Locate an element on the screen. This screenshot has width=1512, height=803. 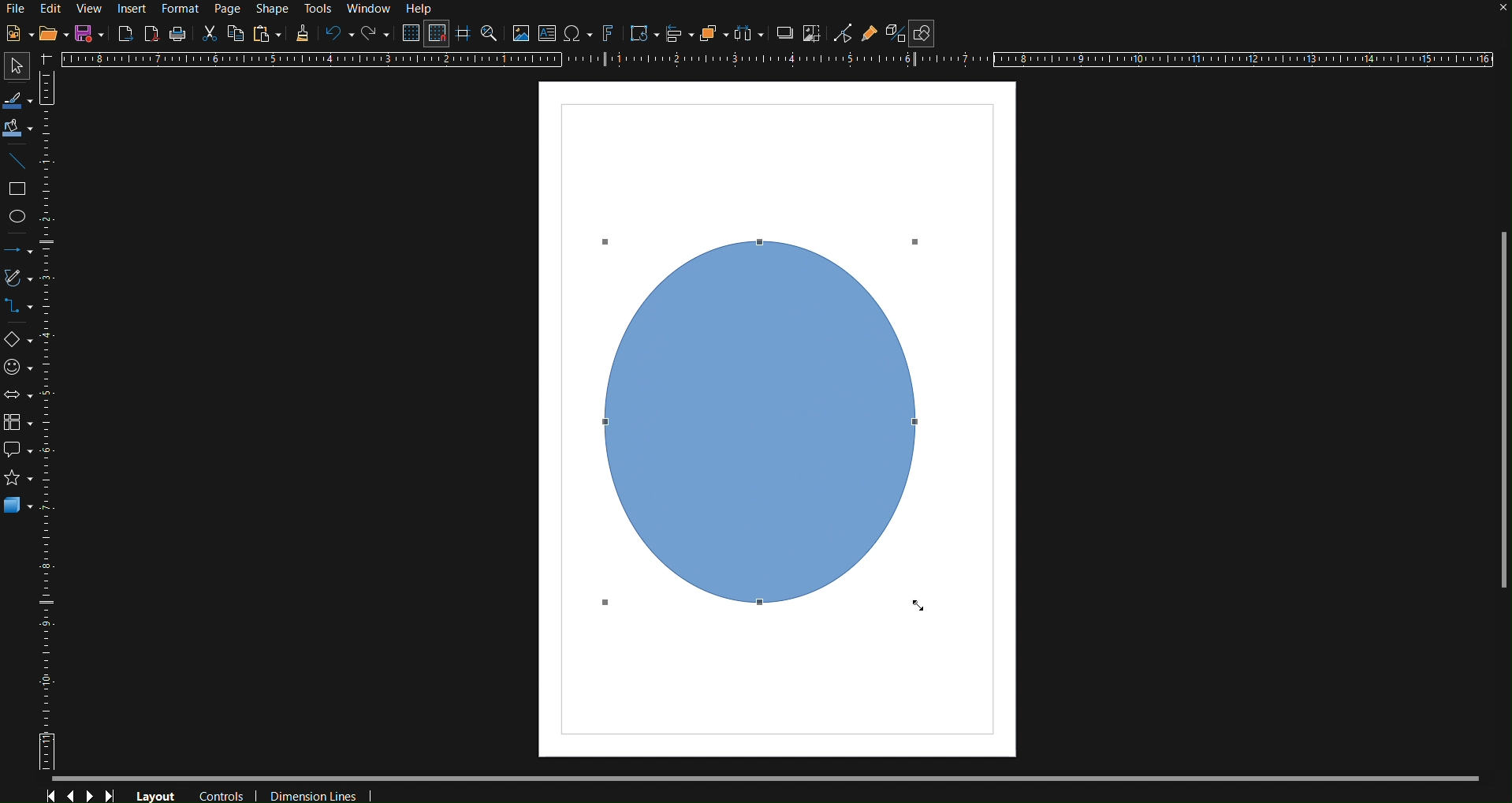
Curves and Polygons is located at coordinates (22, 280).